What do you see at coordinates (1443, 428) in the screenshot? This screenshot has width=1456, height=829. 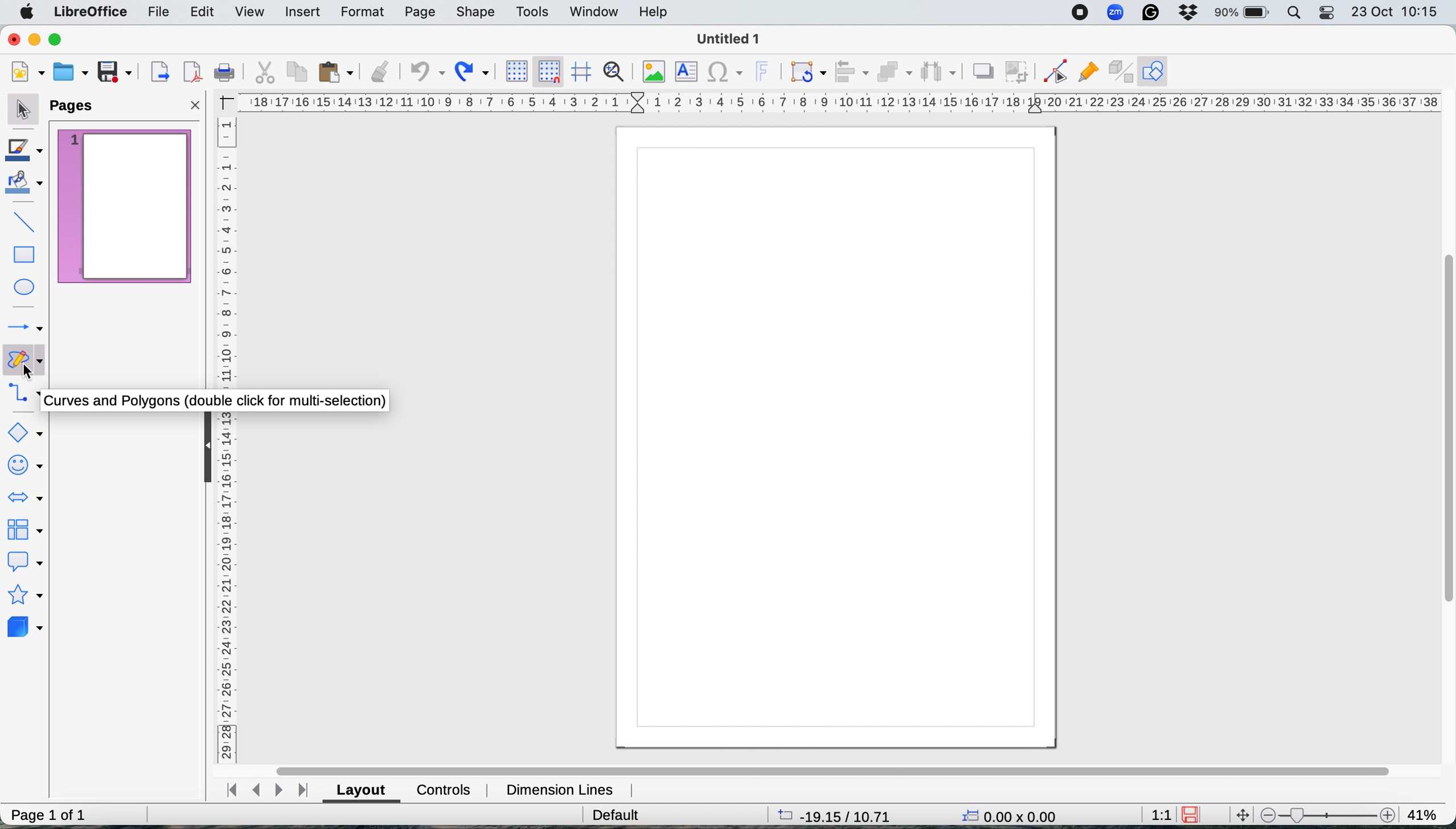 I see `vertical scroll bar` at bounding box center [1443, 428].